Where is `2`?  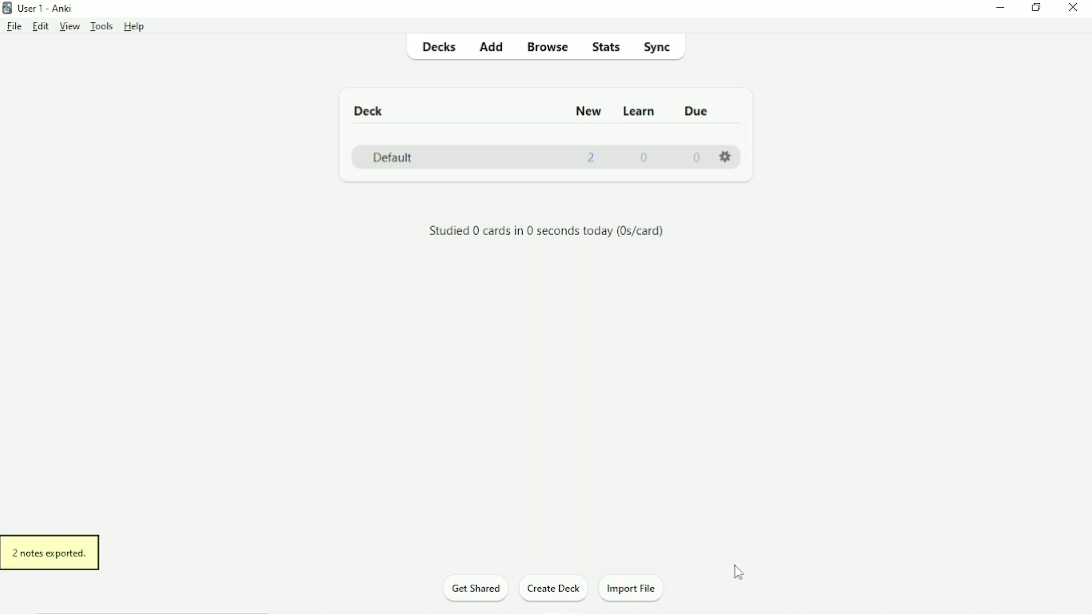 2 is located at coordinates (591, 159).